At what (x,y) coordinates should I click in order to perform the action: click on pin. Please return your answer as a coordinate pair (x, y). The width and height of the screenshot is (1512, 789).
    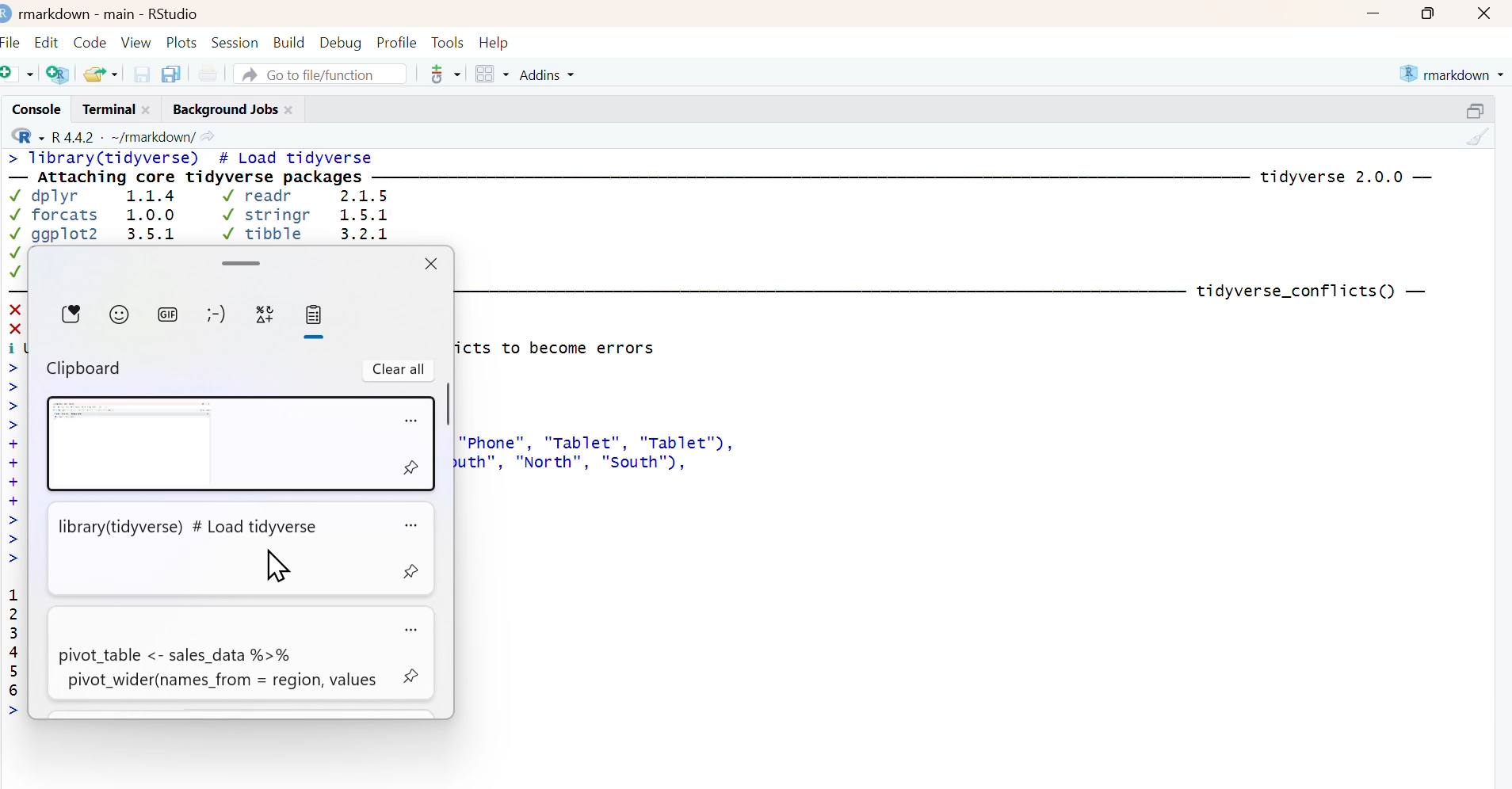
    Looking at the image, I should click on (413, 574).